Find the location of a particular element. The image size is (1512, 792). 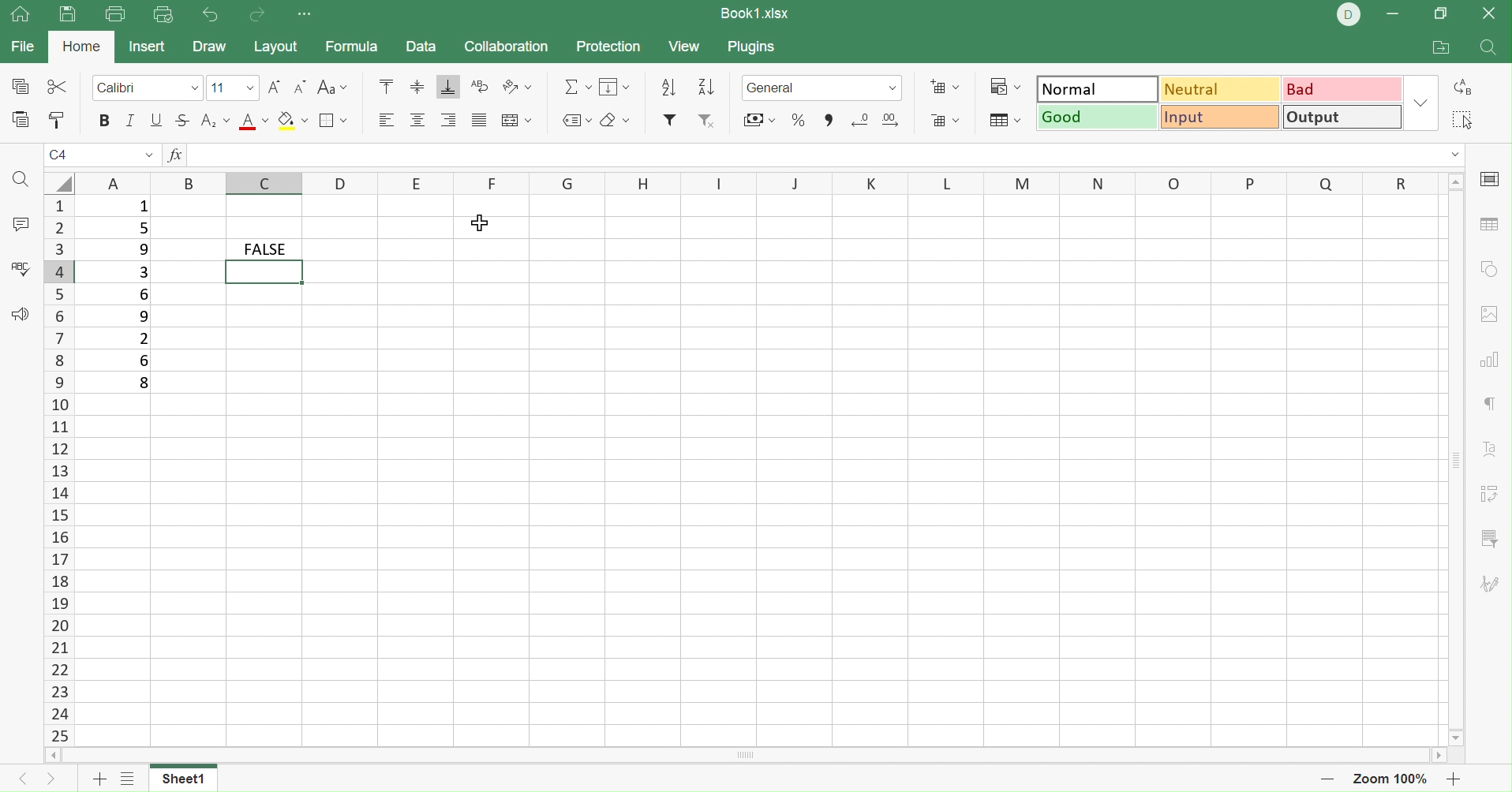

Bad is located at coordinates (1344, 88).